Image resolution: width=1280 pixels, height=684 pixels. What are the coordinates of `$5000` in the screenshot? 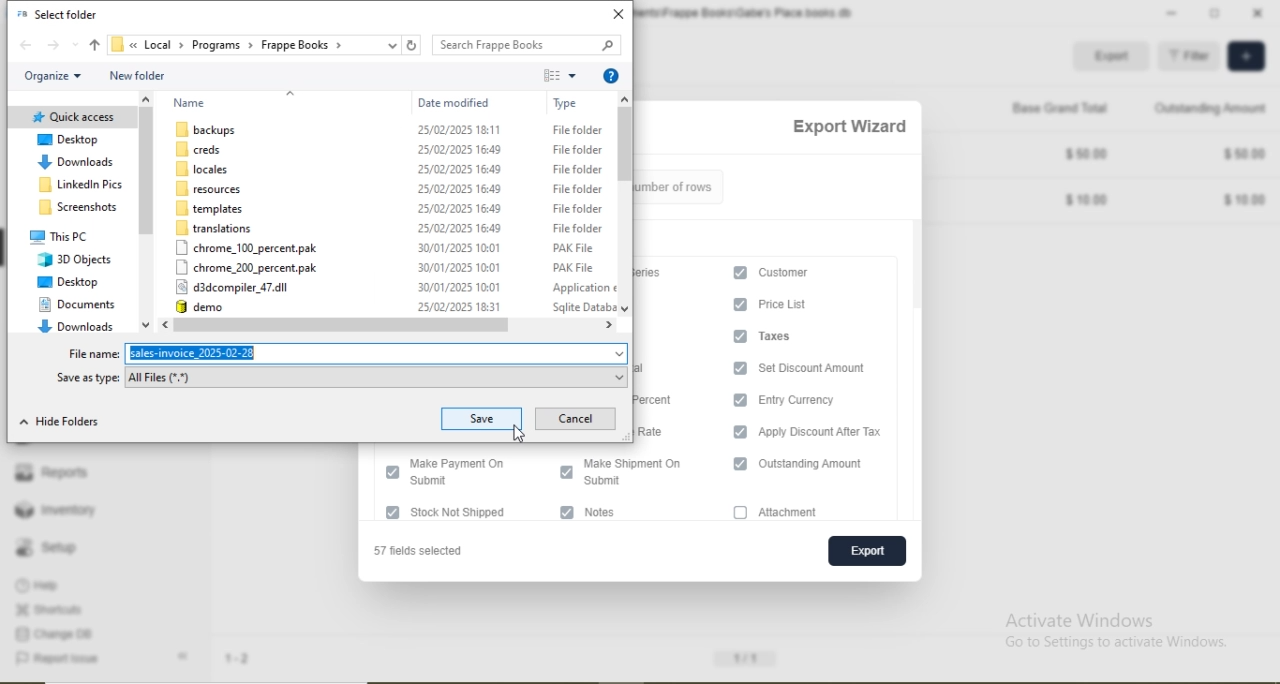 It's located at (1245, 153).